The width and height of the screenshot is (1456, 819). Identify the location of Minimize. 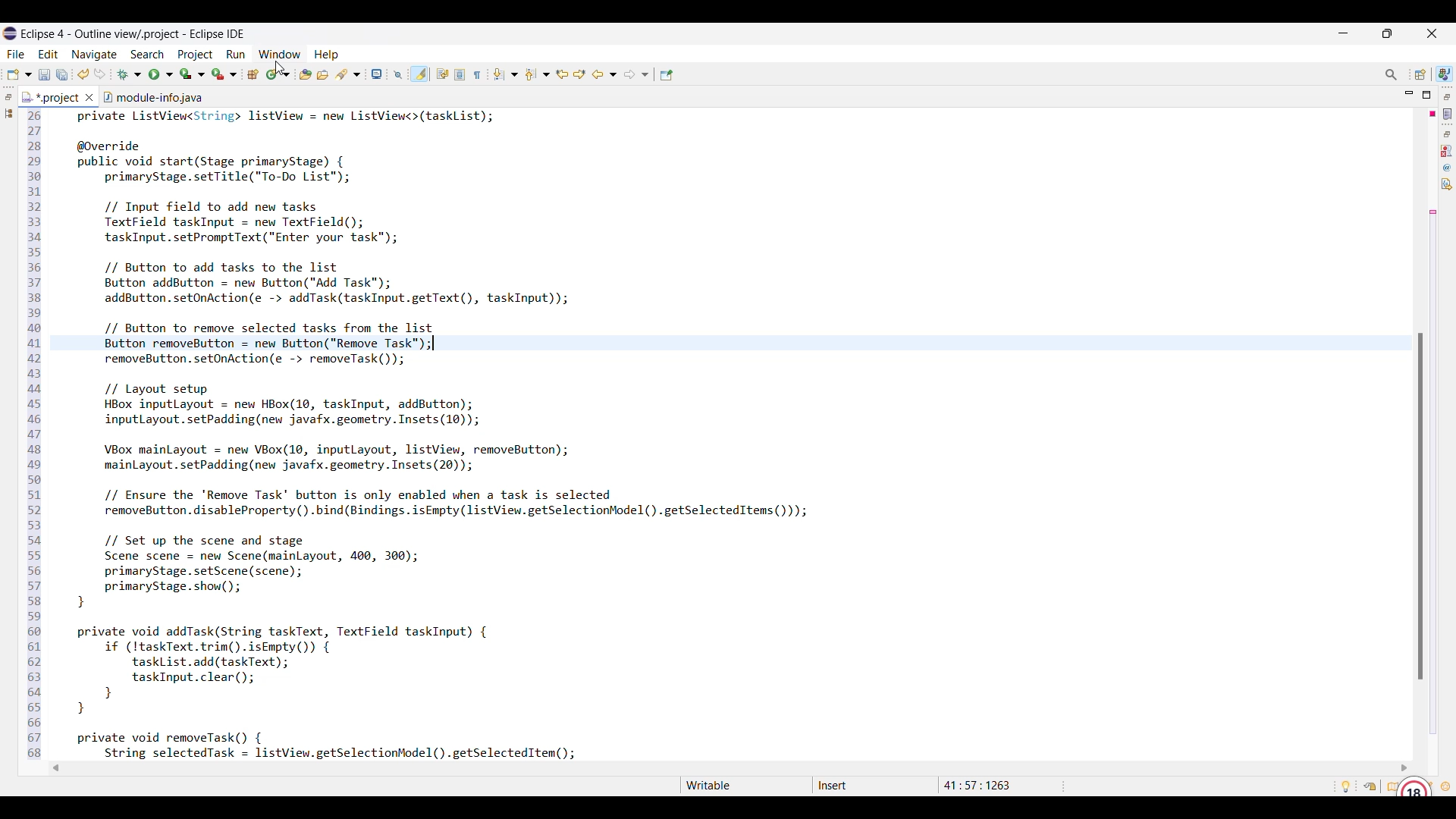
(1344, 33).